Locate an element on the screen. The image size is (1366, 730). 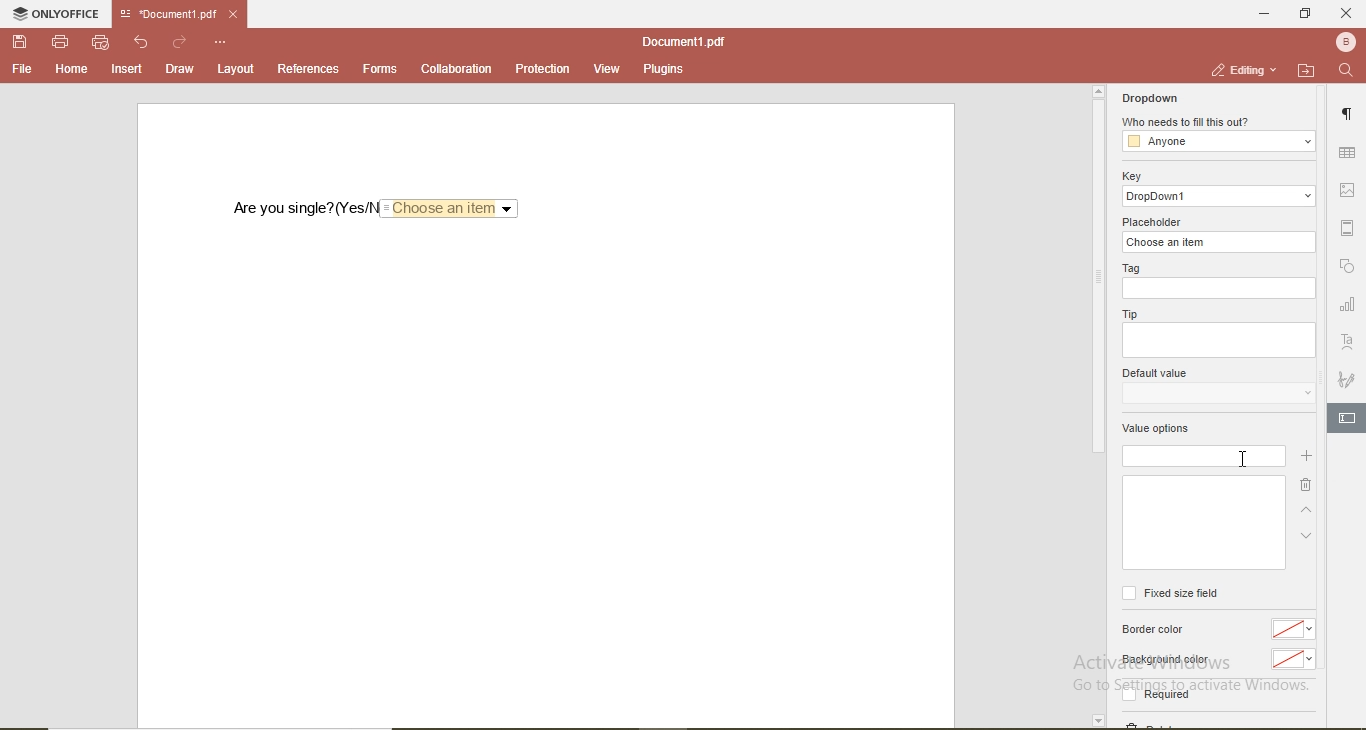
quick print is located at coordinates (101, 43).